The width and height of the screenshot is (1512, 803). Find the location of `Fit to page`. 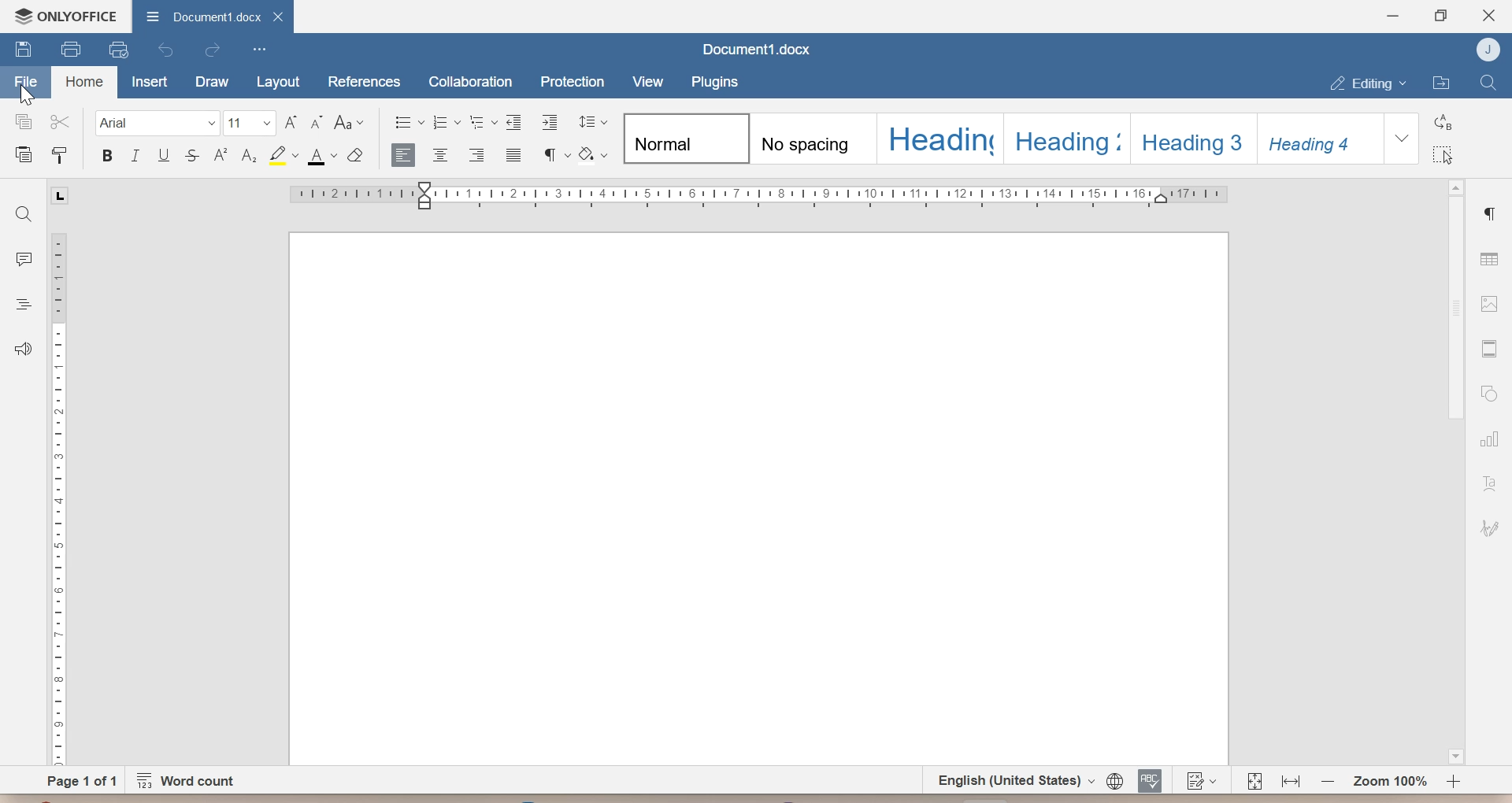

Fit to page is located at coordinates (1254, 780).